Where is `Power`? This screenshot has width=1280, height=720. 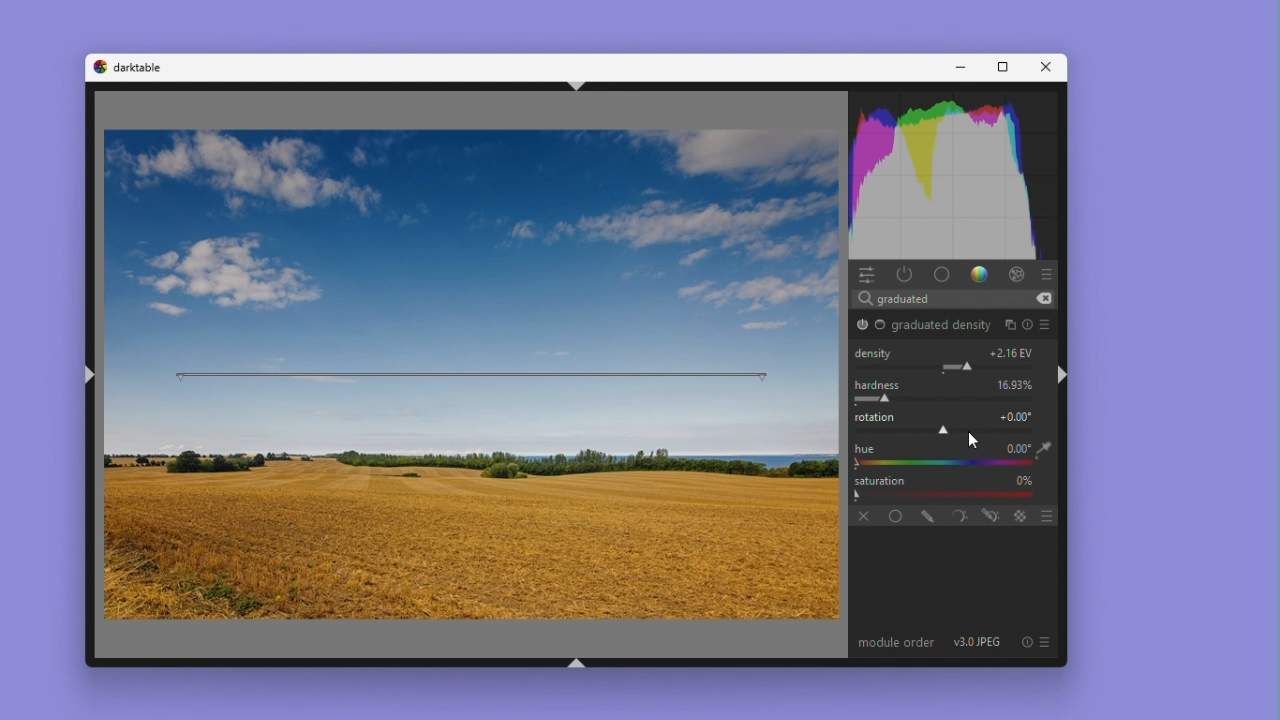 Power is located at coordinates (905, 273).